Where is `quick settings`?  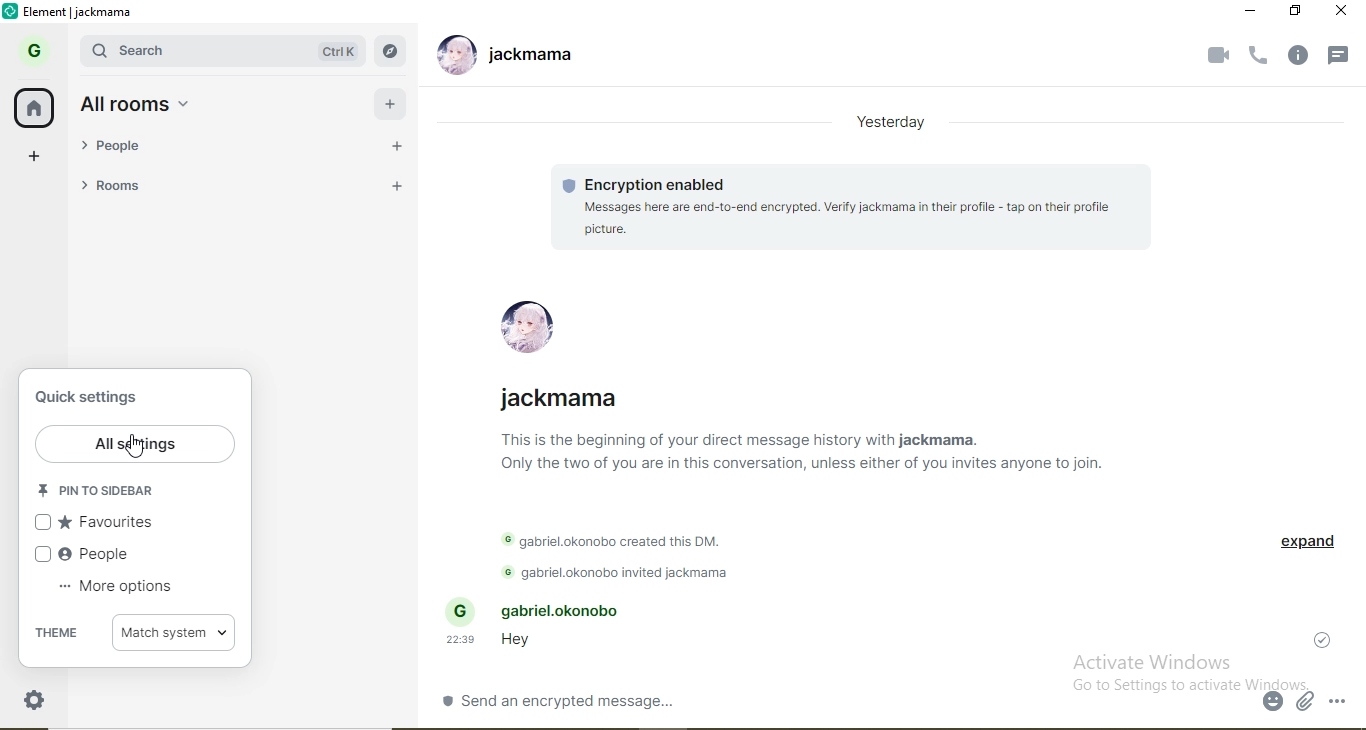 quick settings is located at coordinates (95, 398).